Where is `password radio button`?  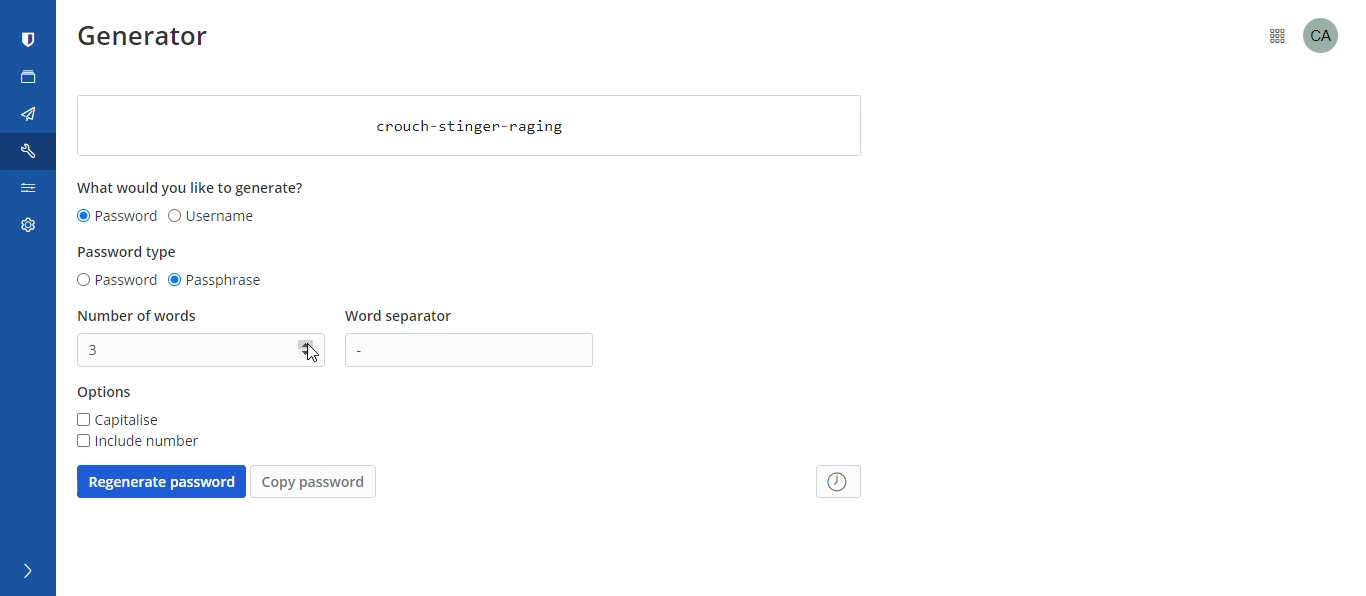 password radio button is located at coordinates (117, 217).